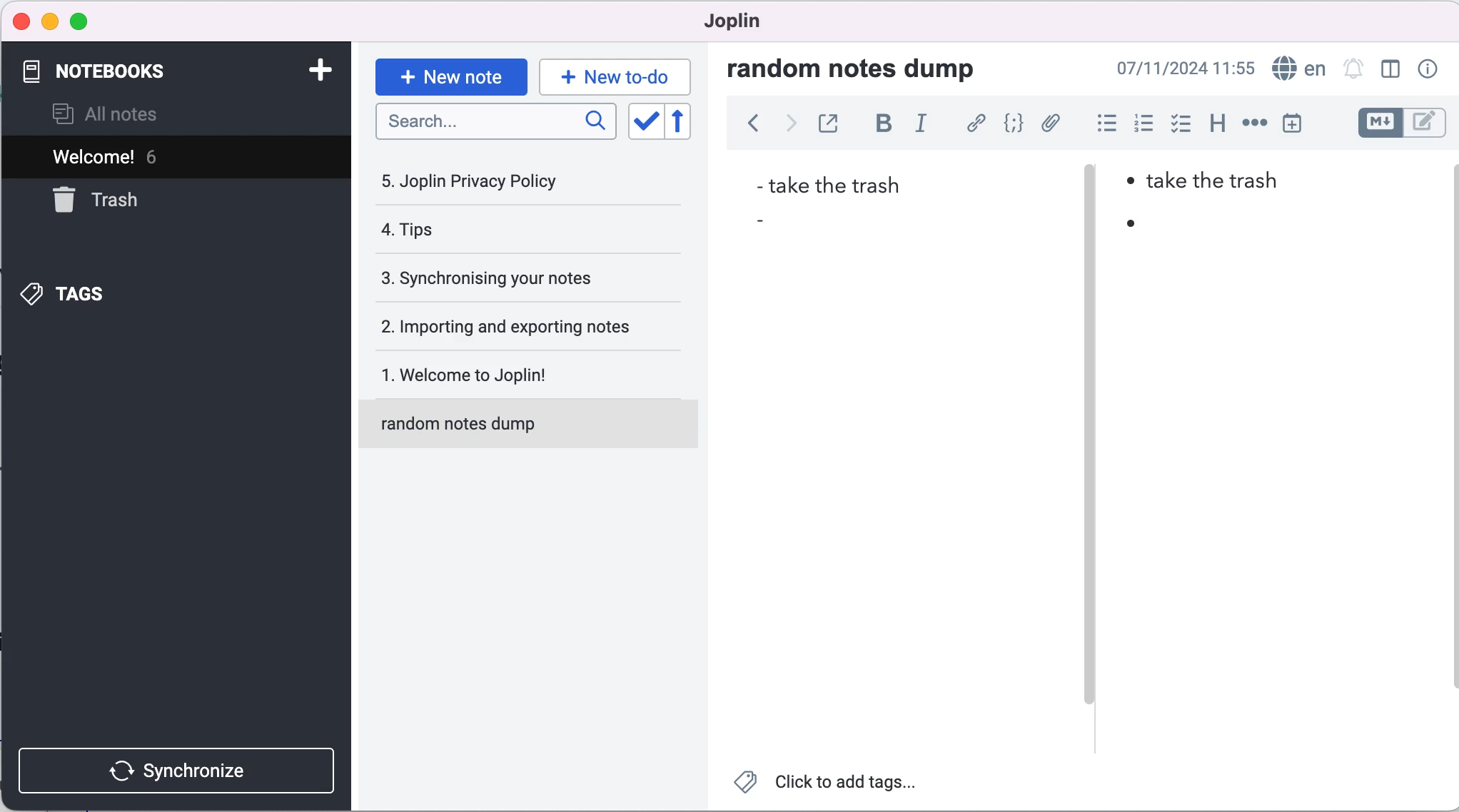 The width and height of the screenshot is (1459, 812). What do you see at coordinates (1353, 70) in the screenshot?
I see `set alarm` at bounding box center [1353, 70].